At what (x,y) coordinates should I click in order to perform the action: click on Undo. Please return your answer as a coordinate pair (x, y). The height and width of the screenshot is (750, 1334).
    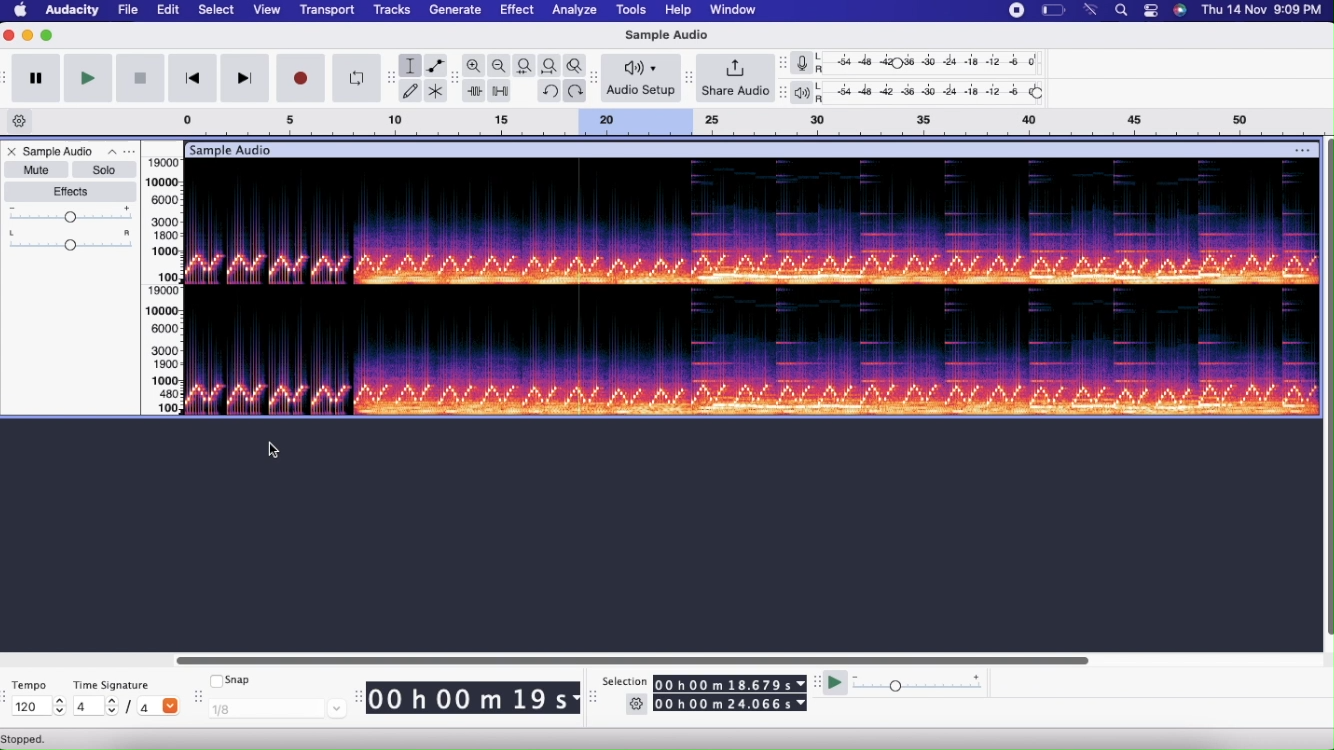
    Looking at the image, I should click on (551, 91).